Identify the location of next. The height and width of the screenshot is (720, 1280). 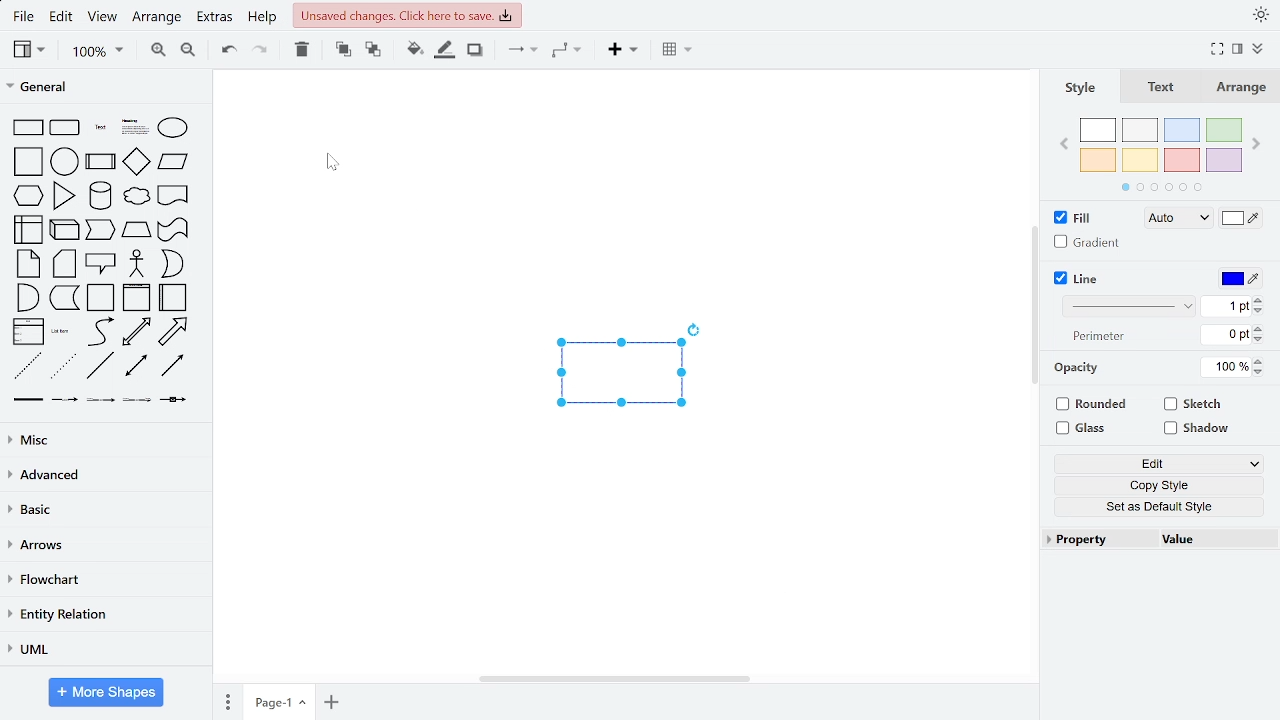
(1257, 143).